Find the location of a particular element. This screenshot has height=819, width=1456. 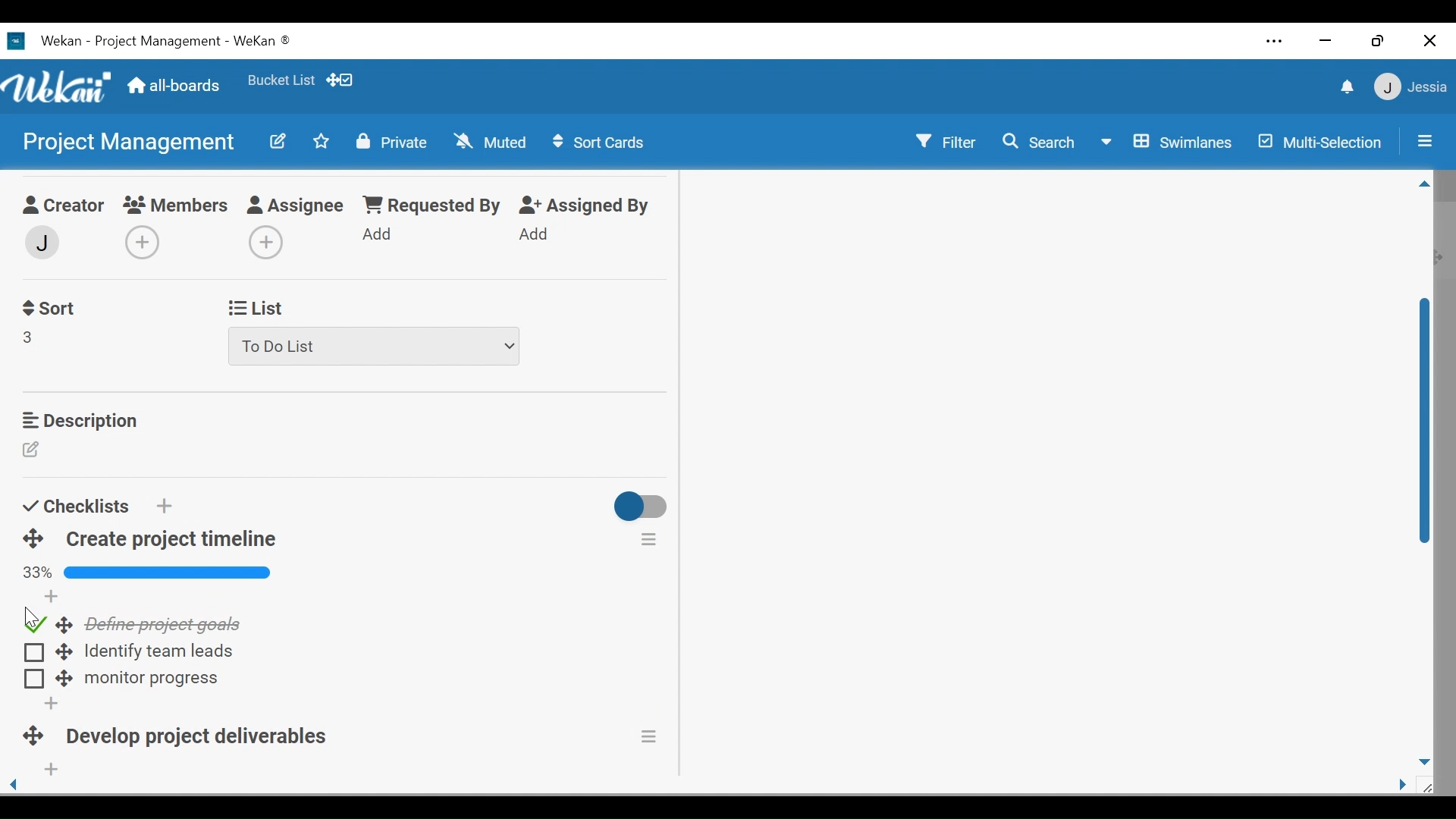

Checklist name is located at coordinates (171, 540).